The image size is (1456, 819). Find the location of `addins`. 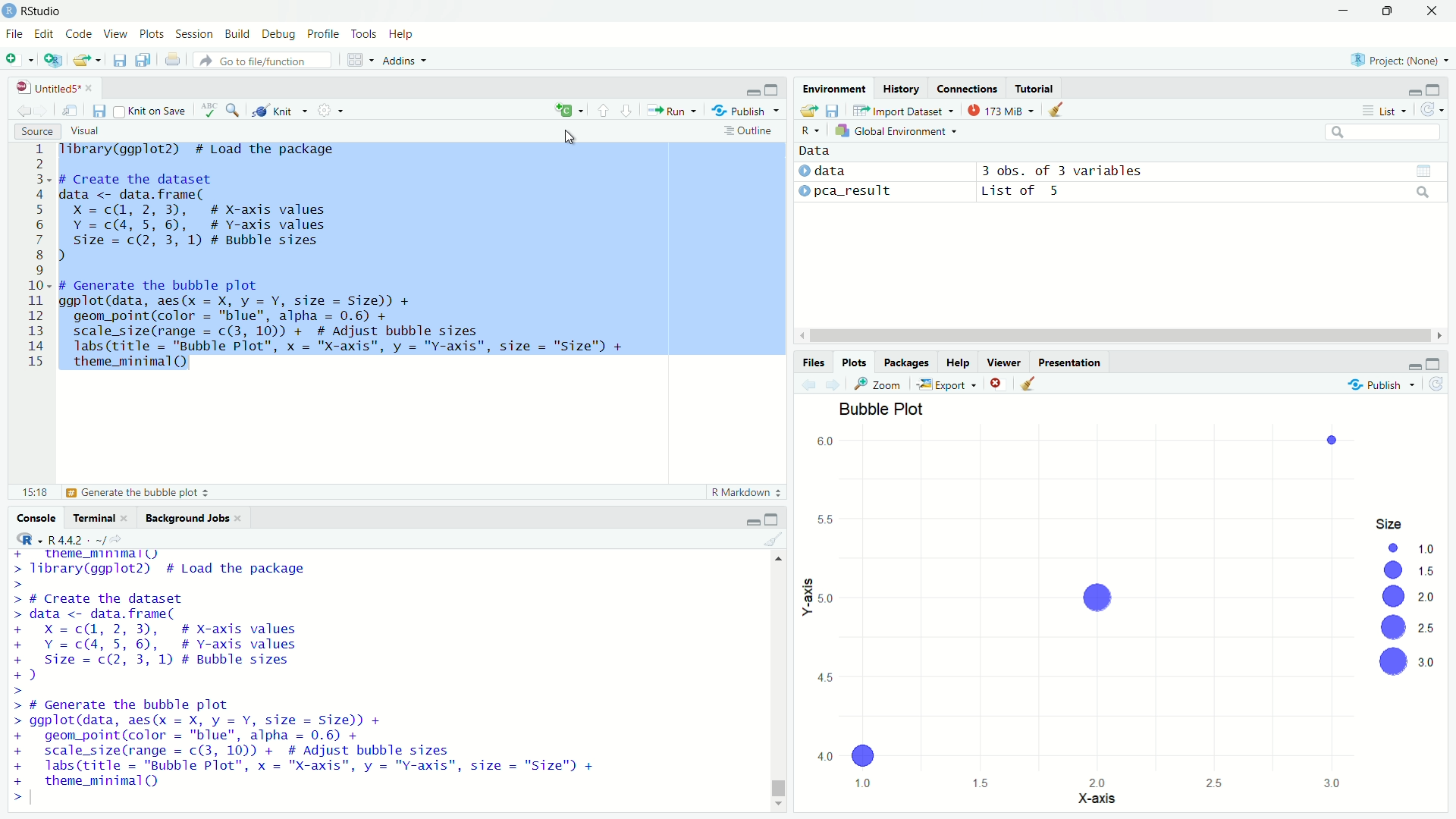

addins is located at coordinates (403, 61).